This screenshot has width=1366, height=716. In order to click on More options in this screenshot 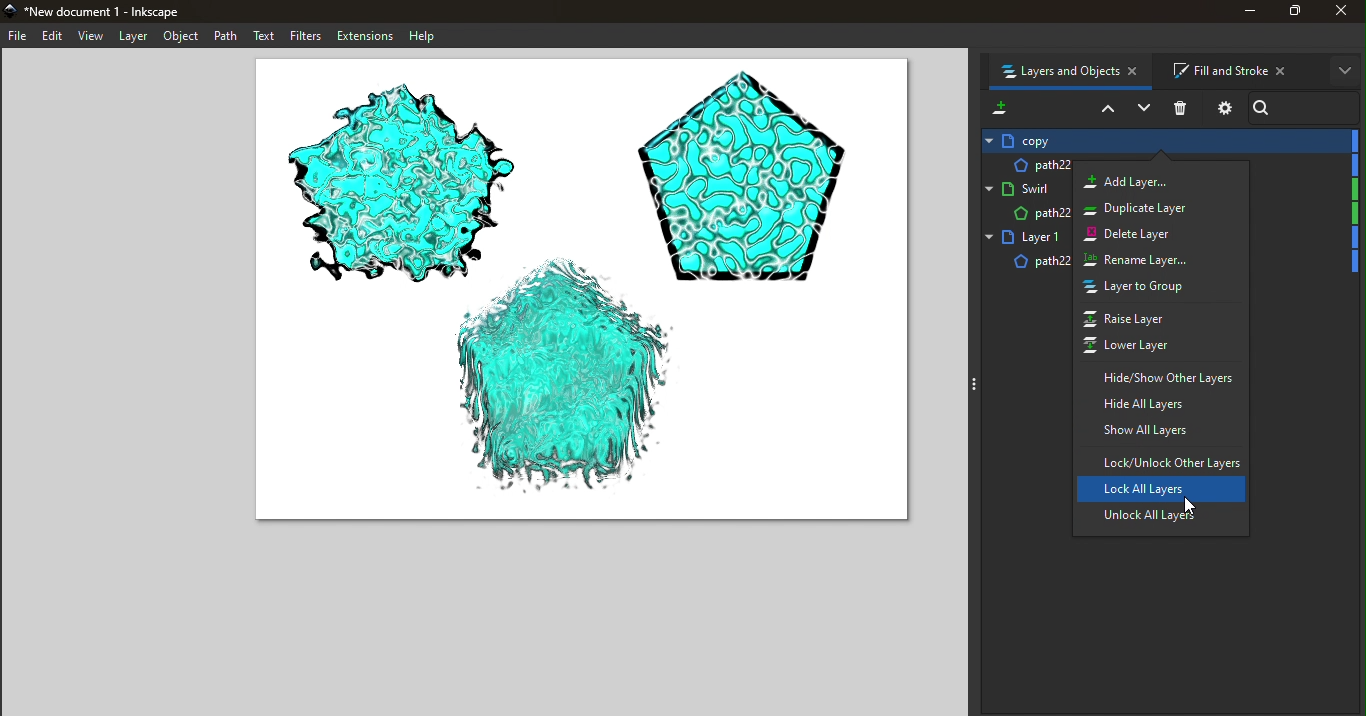, I will do `click(1345, 71)`.